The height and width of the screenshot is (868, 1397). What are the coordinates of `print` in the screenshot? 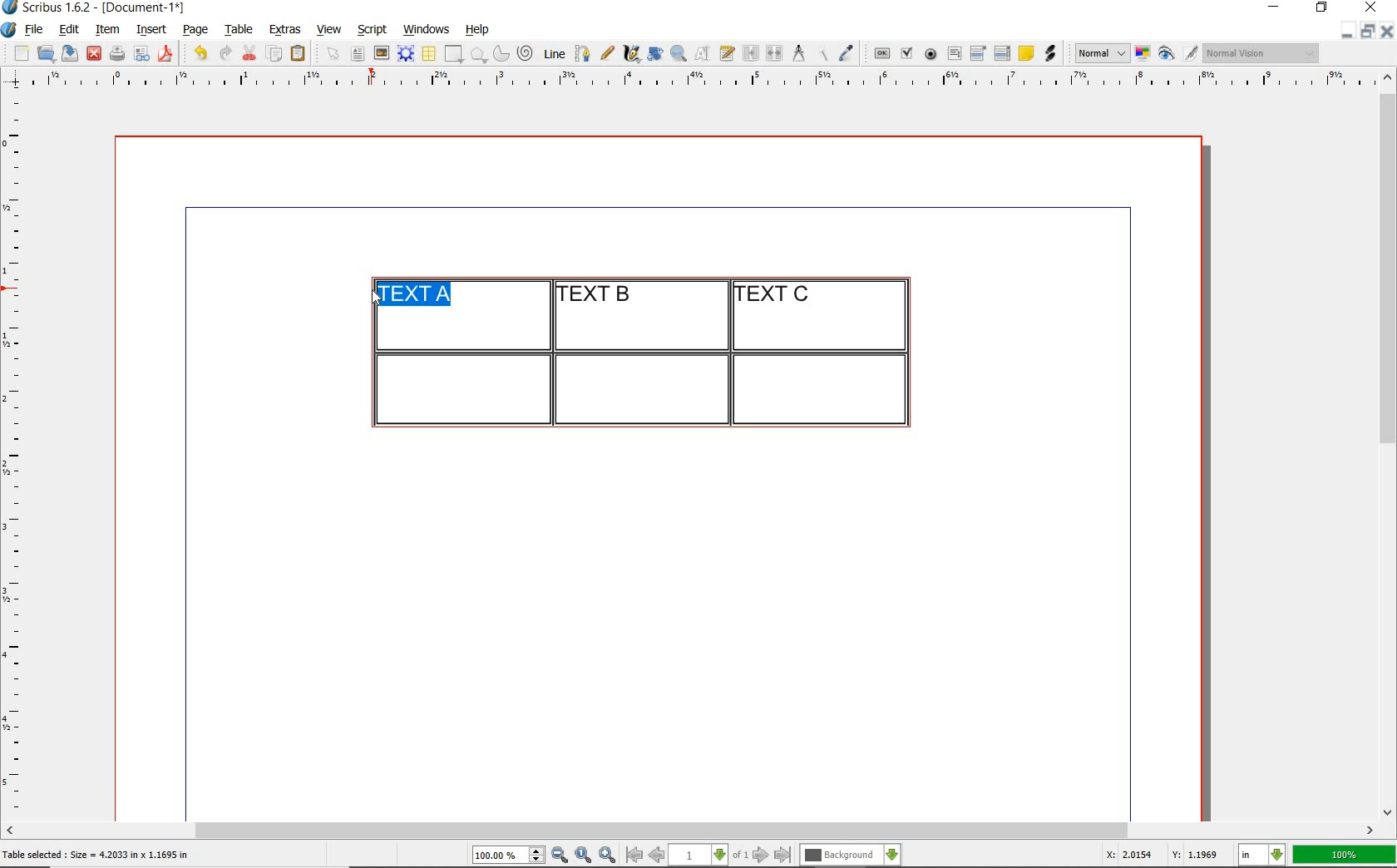 It's located at (116, 53).